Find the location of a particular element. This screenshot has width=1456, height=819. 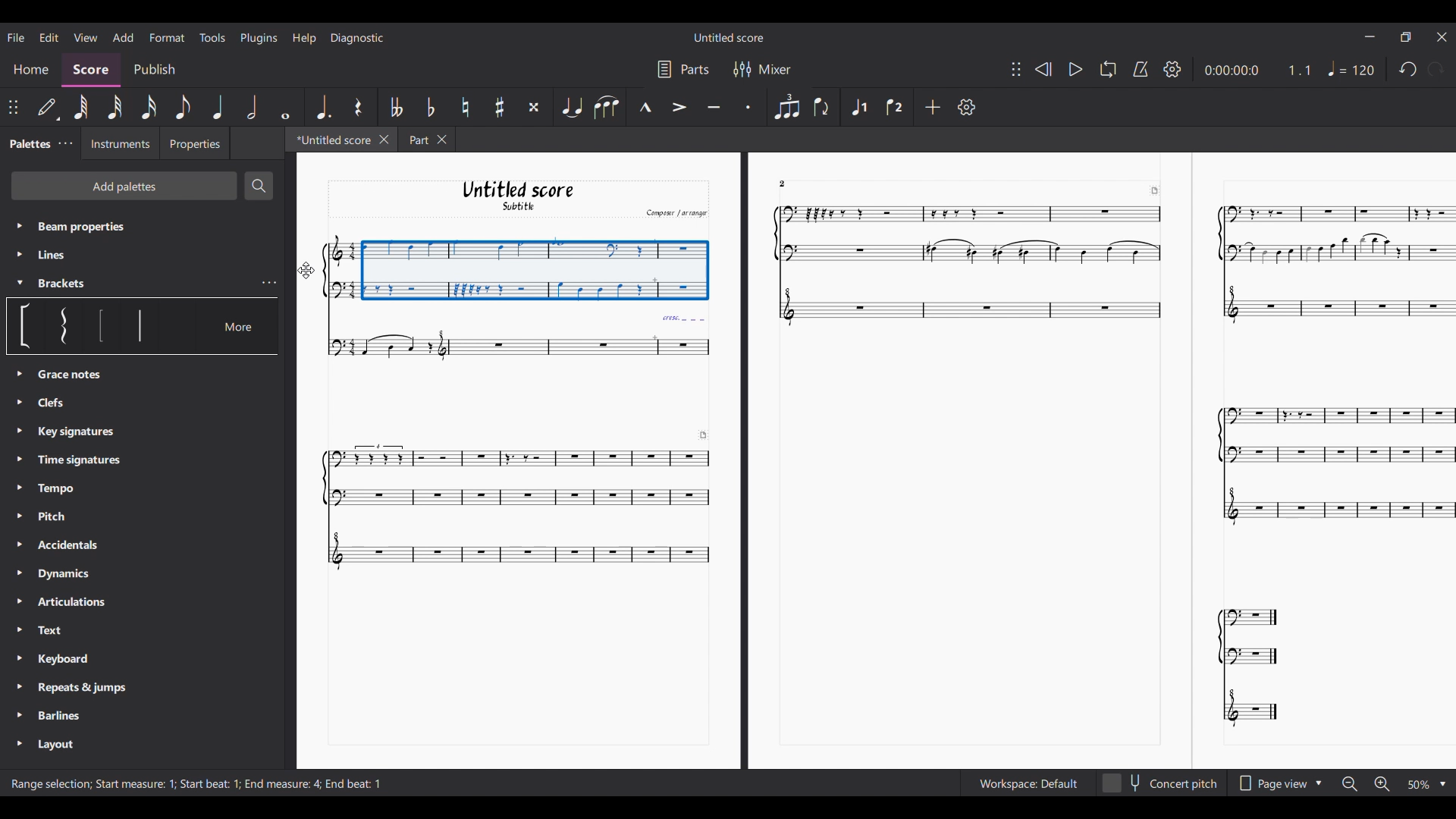

Properties is located at coordinates (194, 143).